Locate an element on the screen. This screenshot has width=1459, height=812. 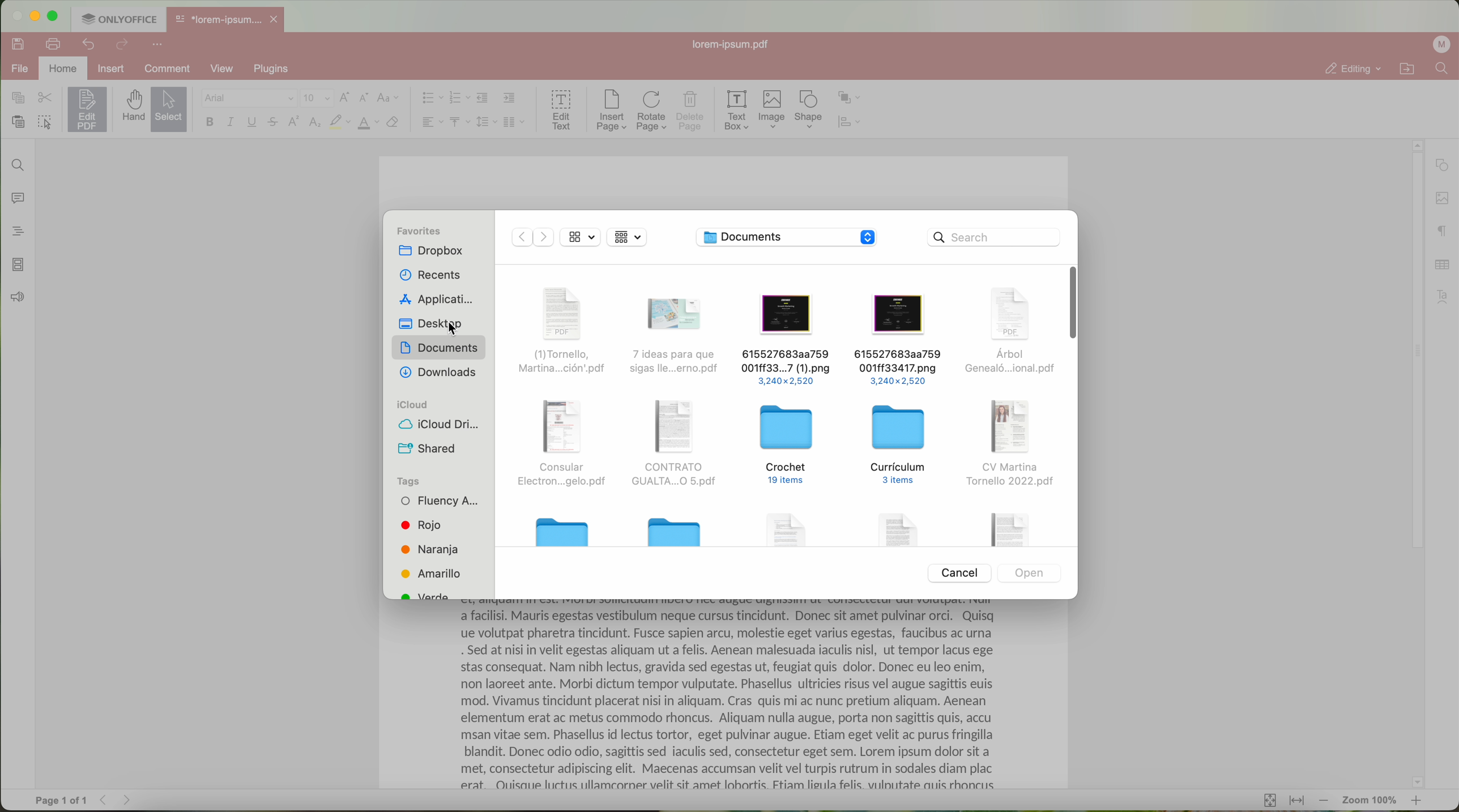
editing is located at coordinates (1352, 69).